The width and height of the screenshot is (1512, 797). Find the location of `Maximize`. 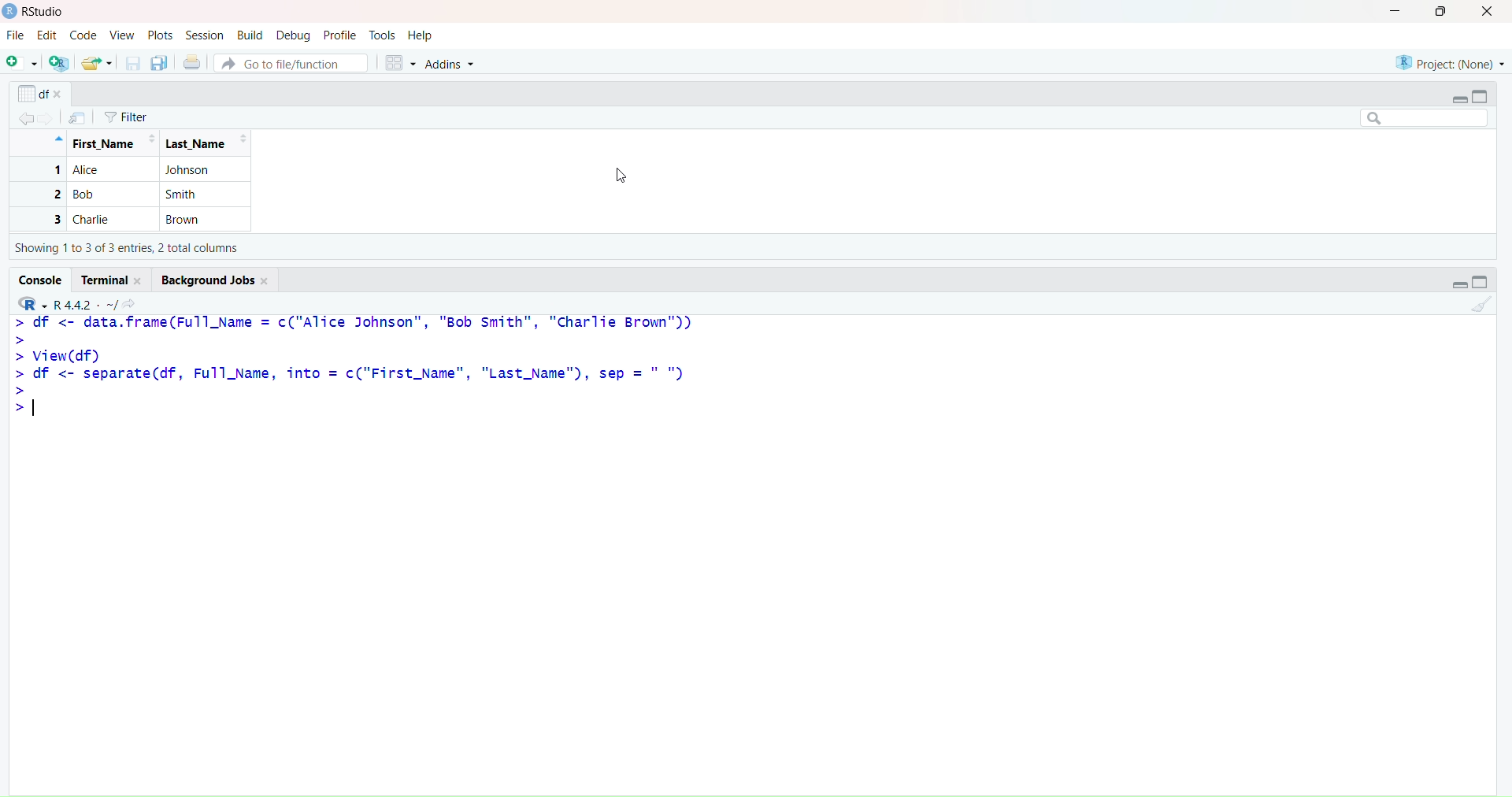

Maximize is located at coordinates (1485, 281).